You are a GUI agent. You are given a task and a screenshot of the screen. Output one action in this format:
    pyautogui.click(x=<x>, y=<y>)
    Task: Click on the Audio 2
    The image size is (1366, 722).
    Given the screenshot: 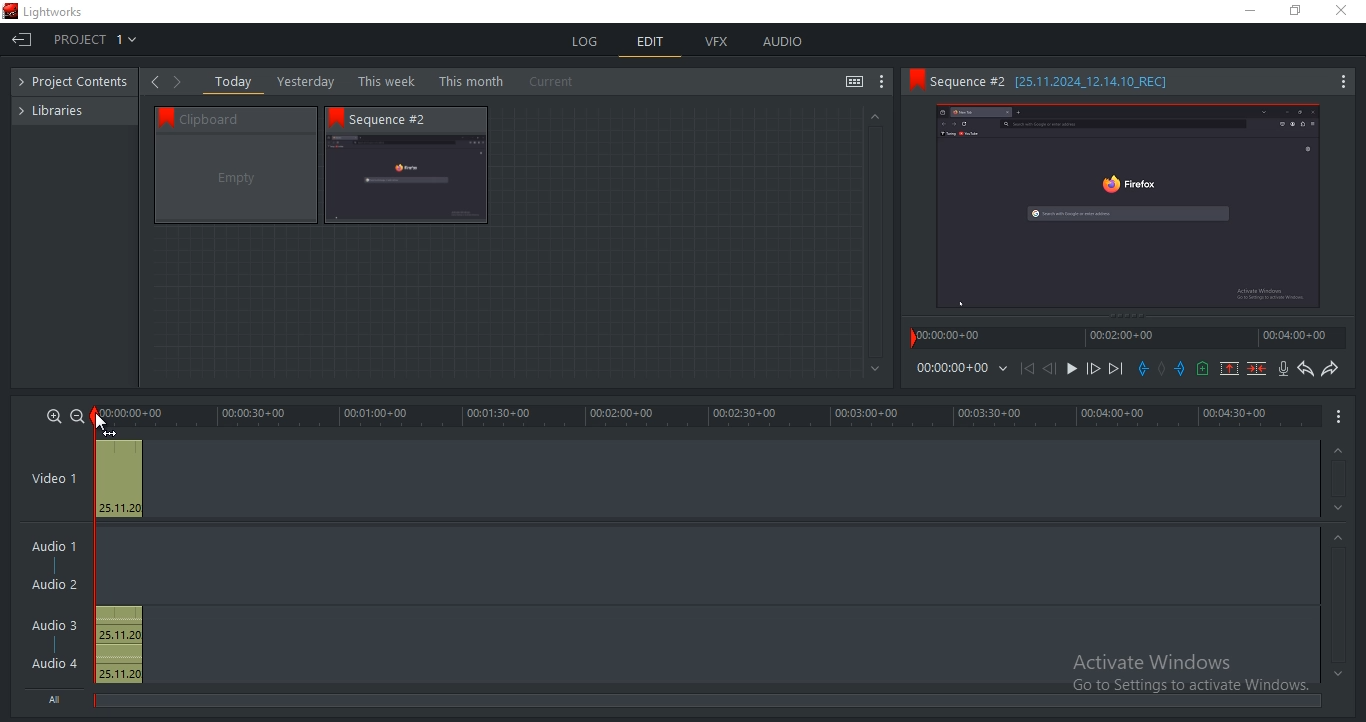 What is the action you would take?
    pyautogui.click(x=54, y=585)
    